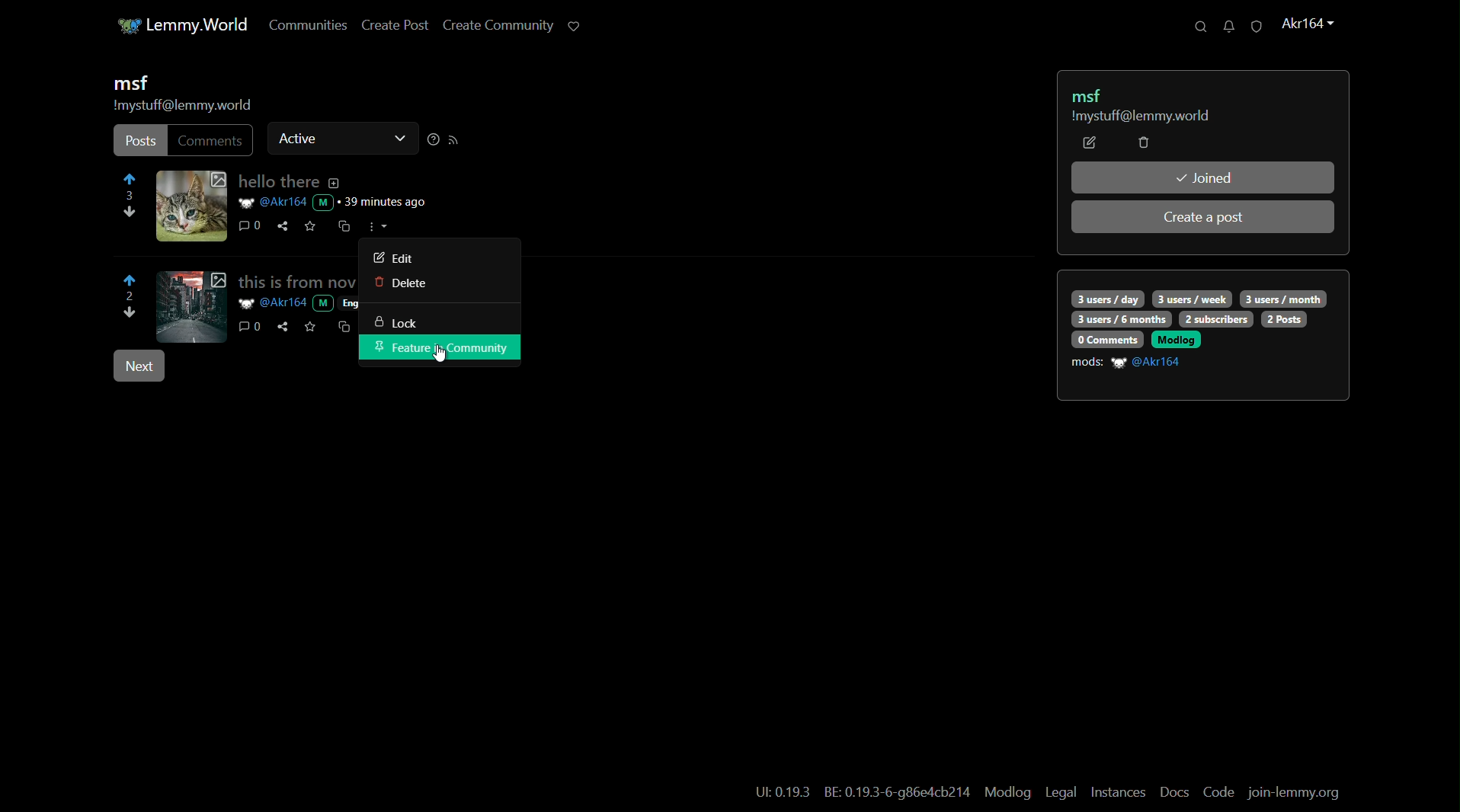  Describe the element at coordinates (446, 356) in the screenshot. I see `cursor` at that location.